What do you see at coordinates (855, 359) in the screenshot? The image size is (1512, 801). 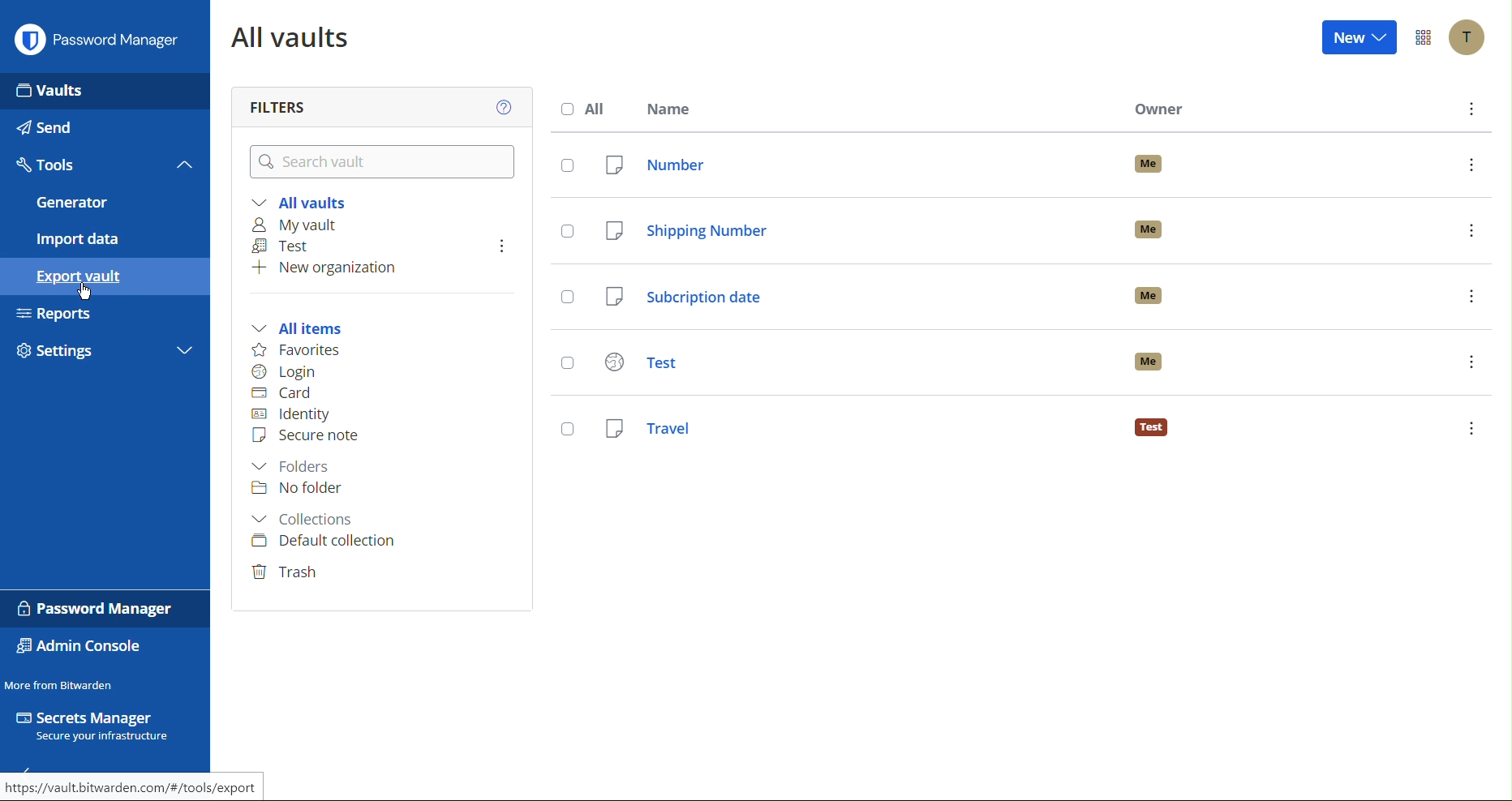 I see `Test` at bounding box center [855, 359].